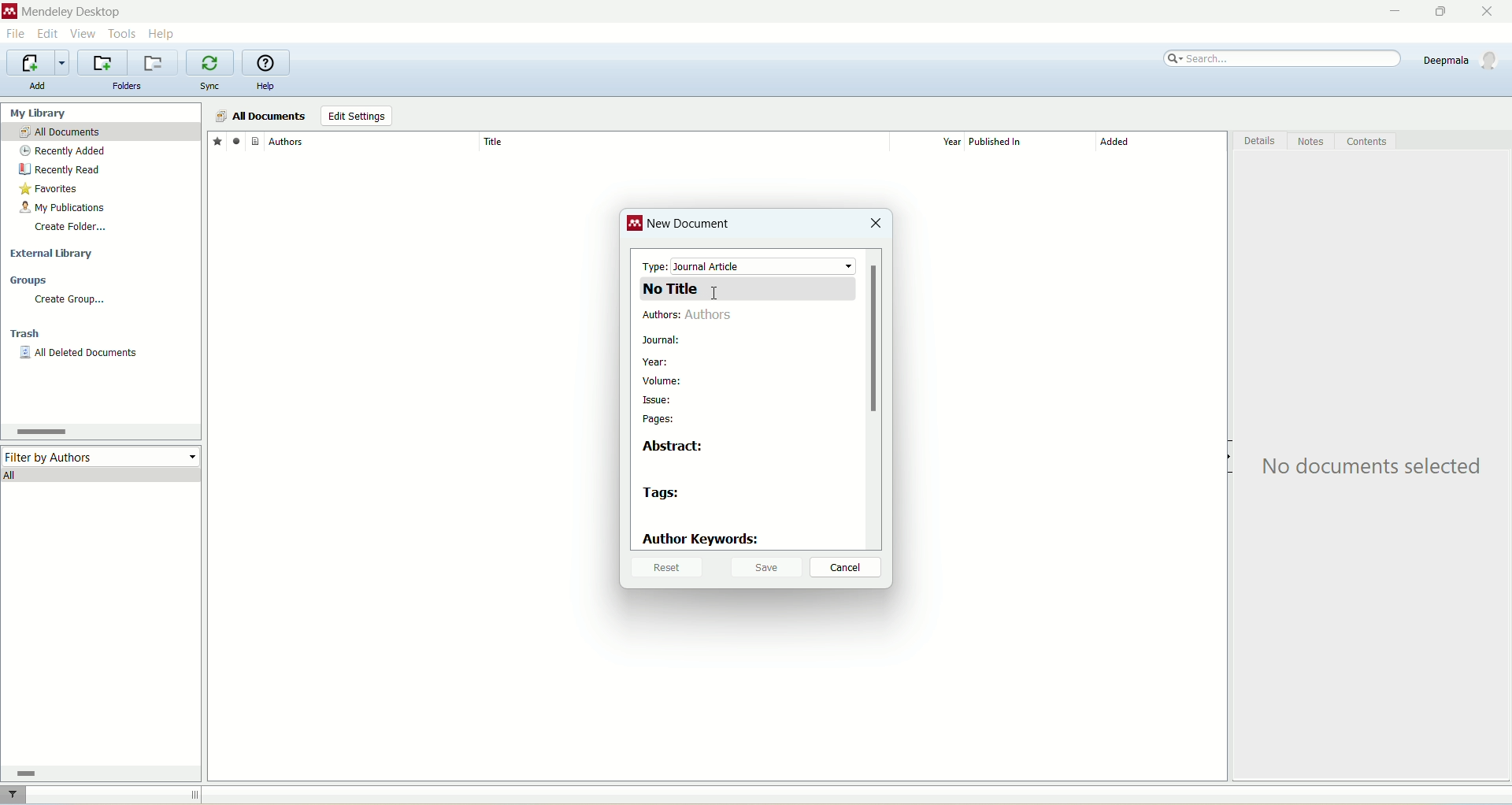 This screenshot has height=805, width=1512. Describe the element at coordinates (128, 87) in the screenshot. I see `folders` at that location.